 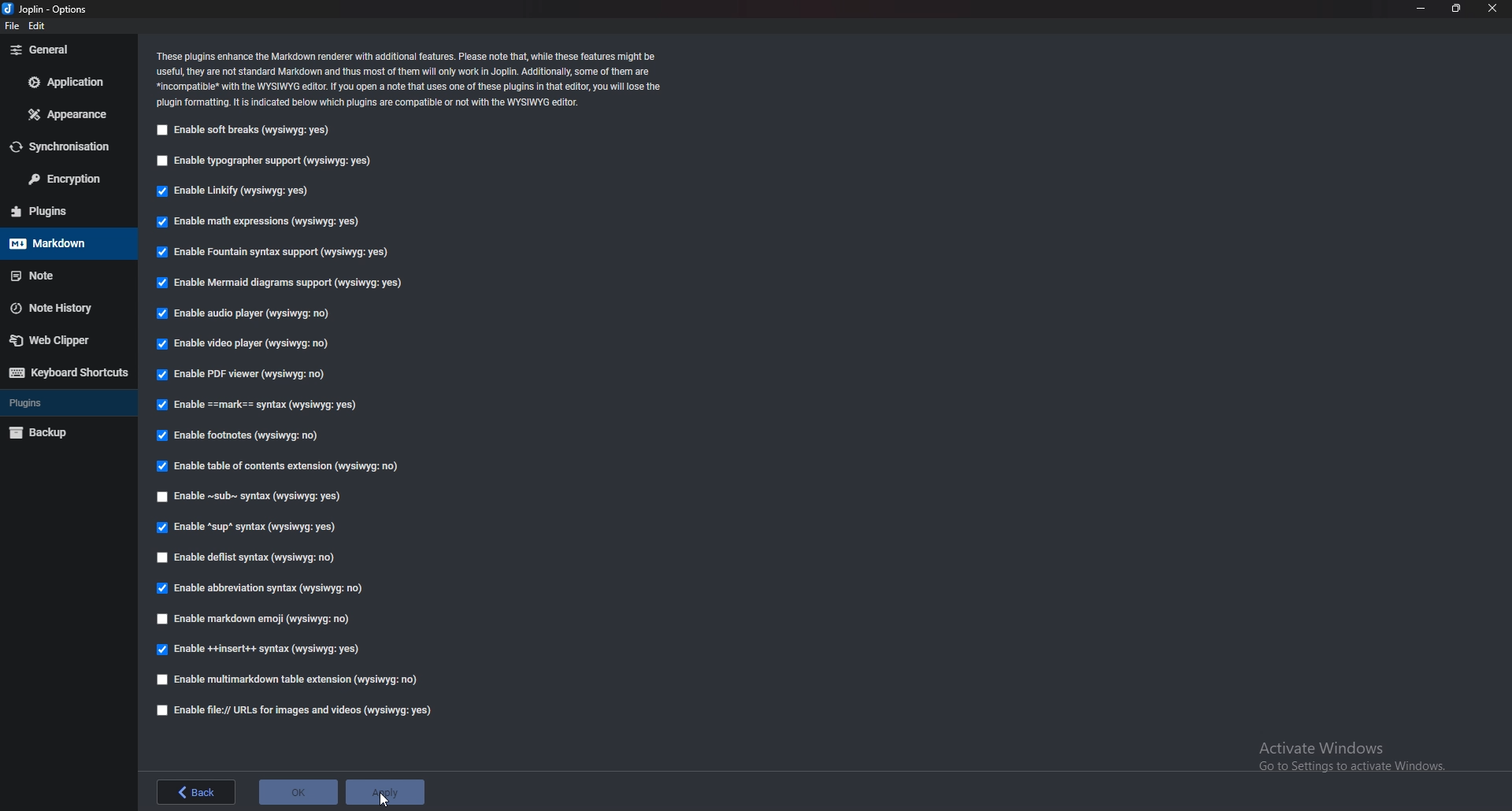 I want to click on back, so click(x=194, y=793).